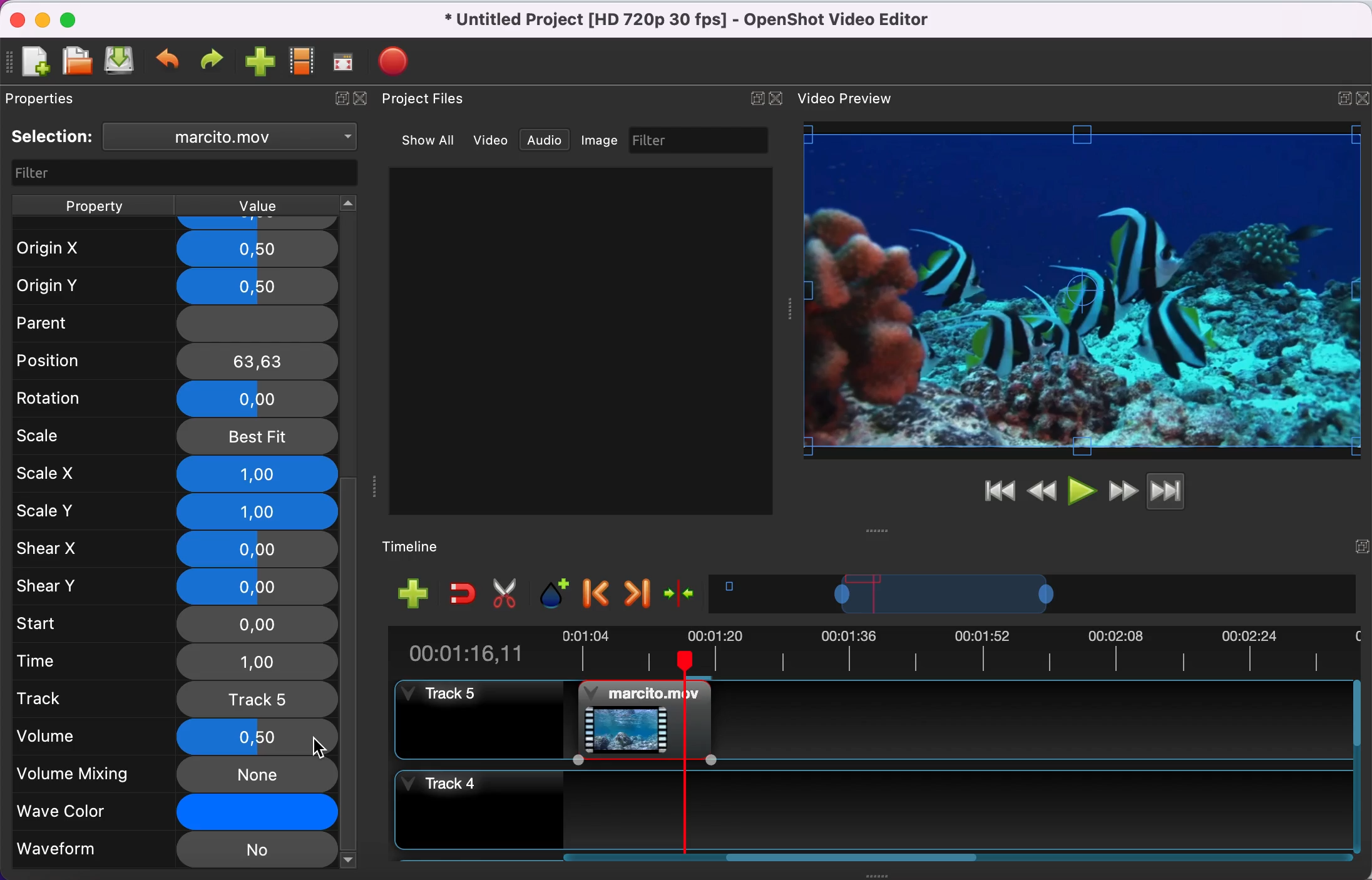 This screenshot has height=880, width=1372. What do you see at coordinates (171, 244) in the screenshot?
I see `origin x` at bounding box center [171, 244].